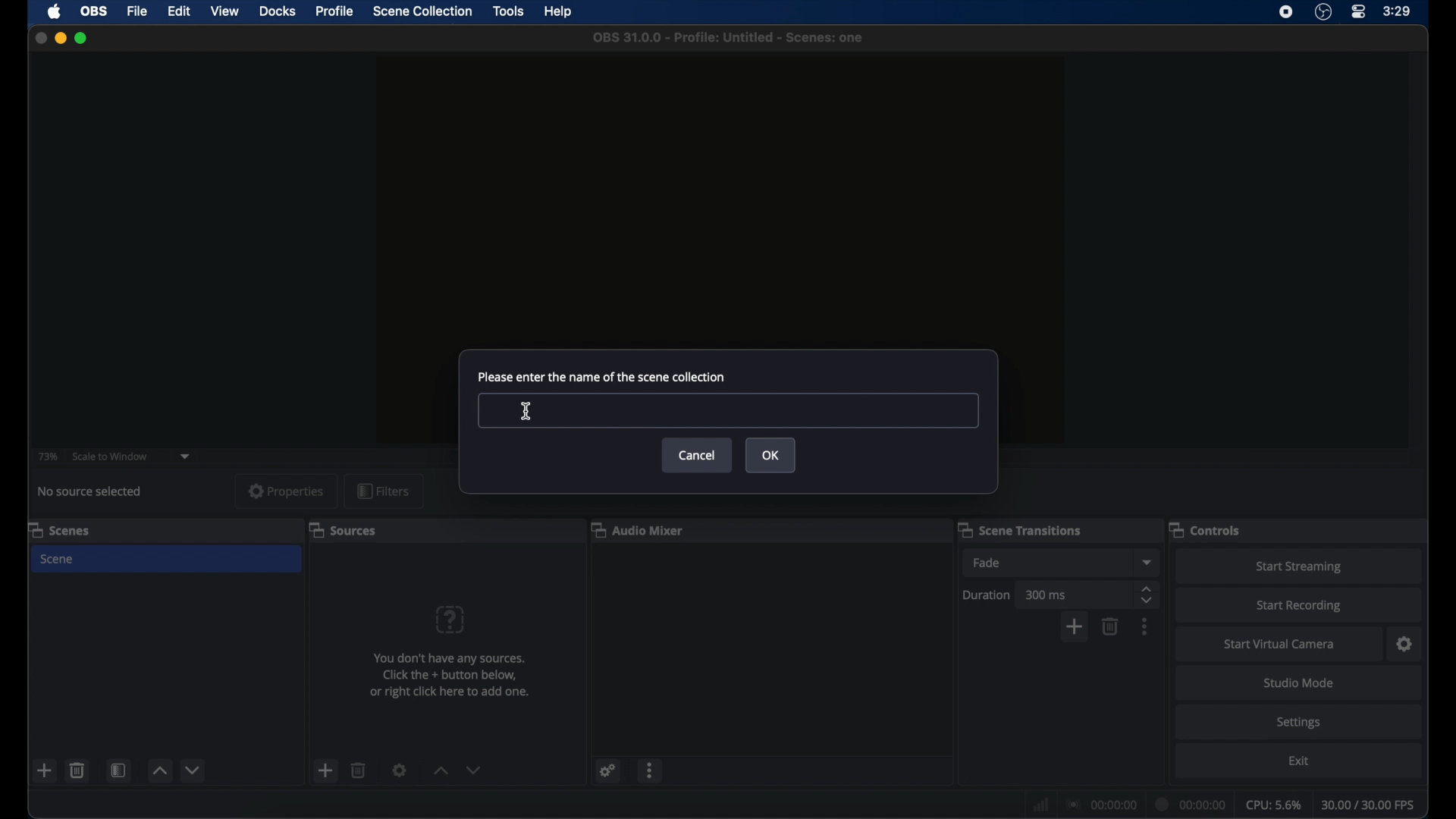  Describe the element at coordinates (1298, 567) in the screenshot. I see `start streaming` at that location.